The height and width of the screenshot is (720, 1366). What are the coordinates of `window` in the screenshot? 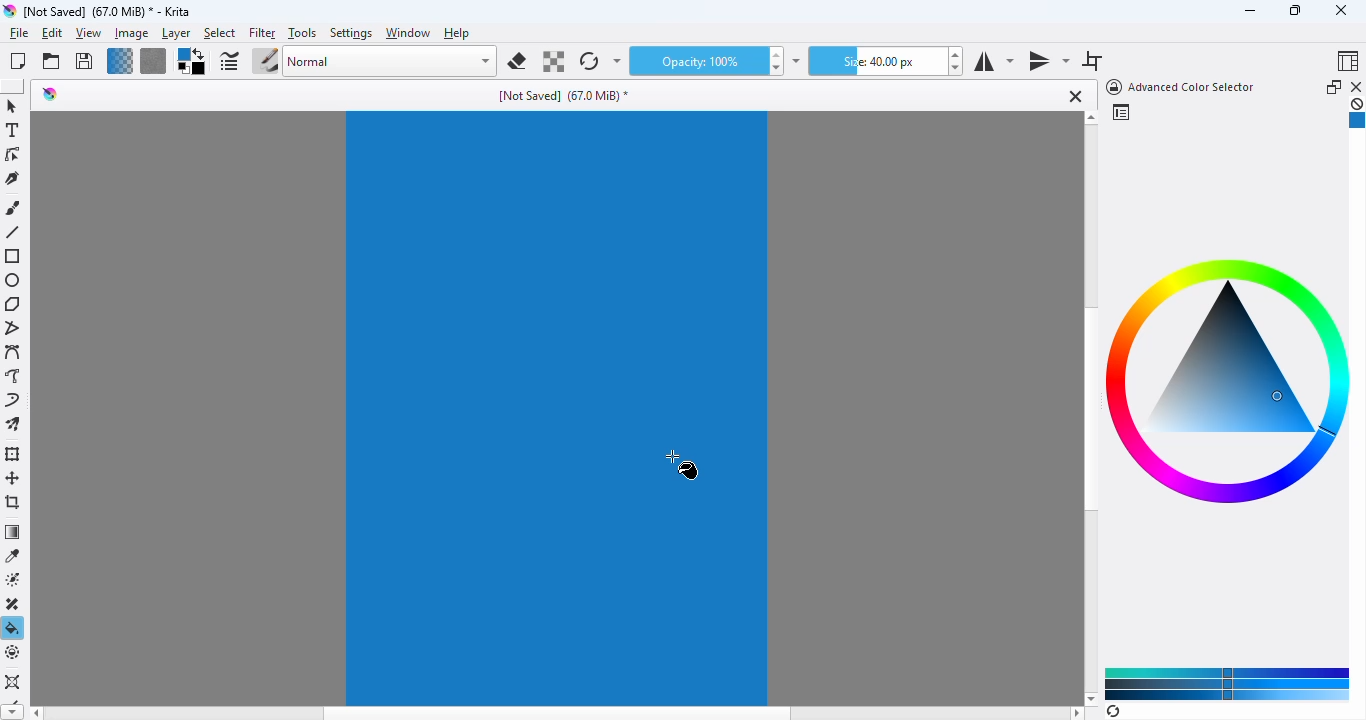 It's located at (408, 33).